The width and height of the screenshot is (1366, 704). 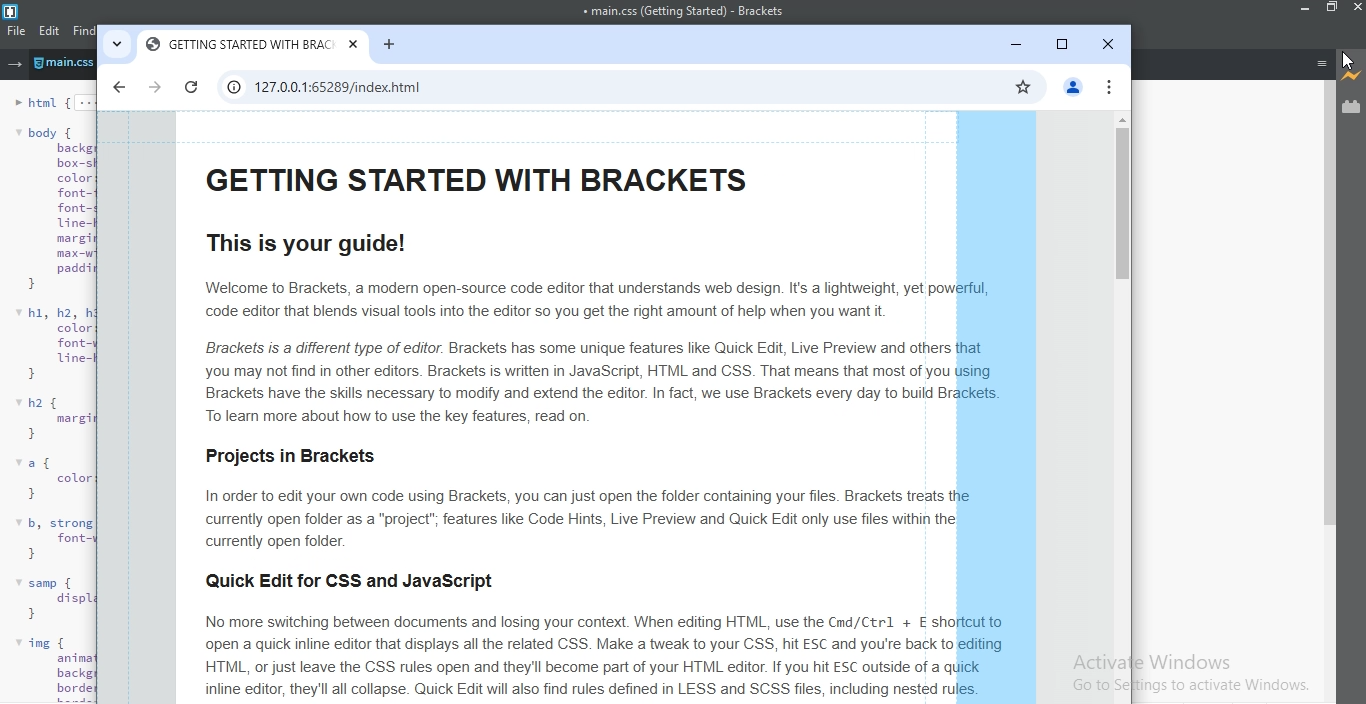 What do you see at coordinates (51, 31) in the screenshot?
I see `edit` at bounding box center [51, 31].